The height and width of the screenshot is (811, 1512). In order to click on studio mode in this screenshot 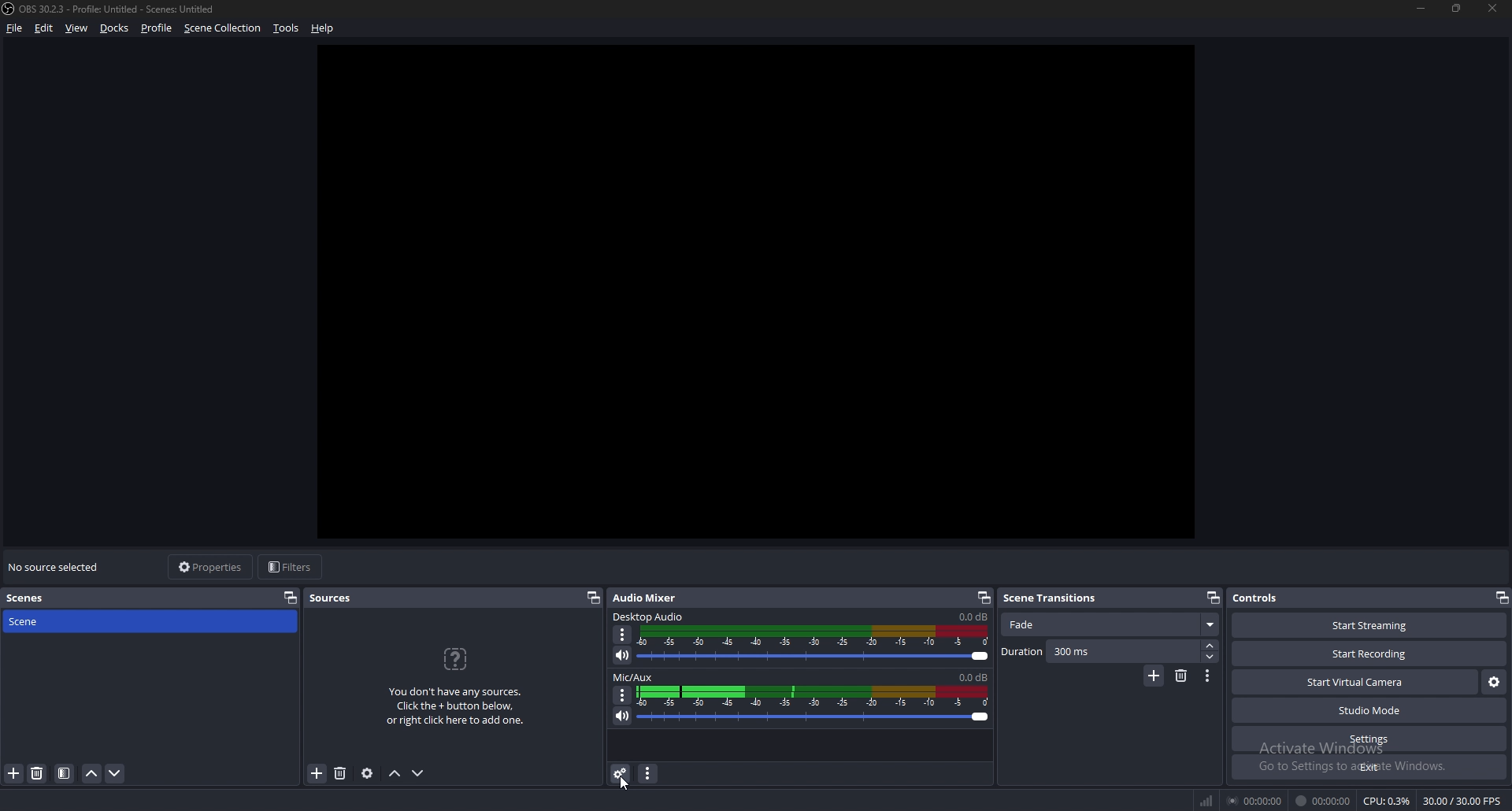, I will do `click(1369, 711)`.